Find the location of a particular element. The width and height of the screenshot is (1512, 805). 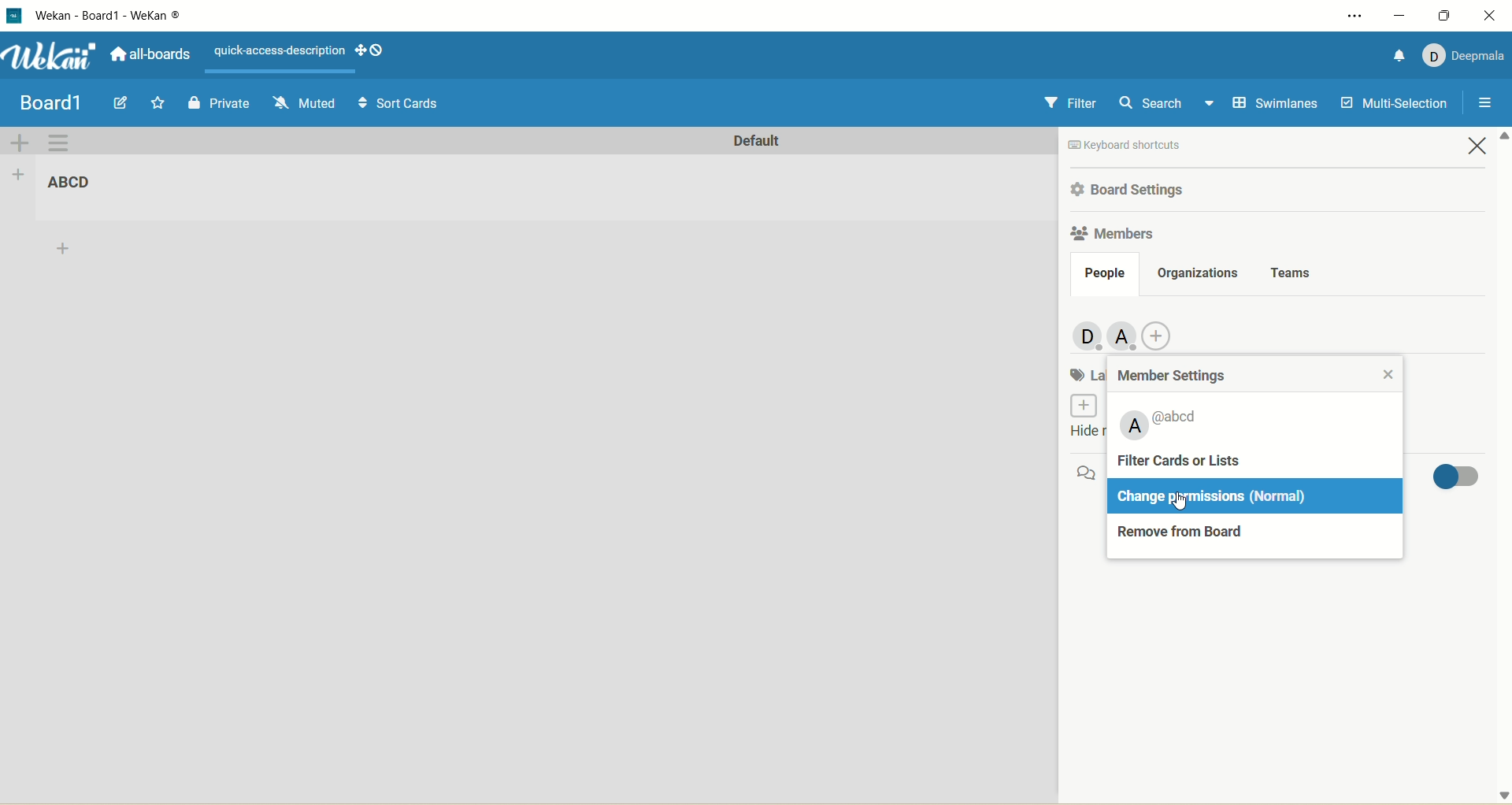

default is located at coordinates (755, 143).